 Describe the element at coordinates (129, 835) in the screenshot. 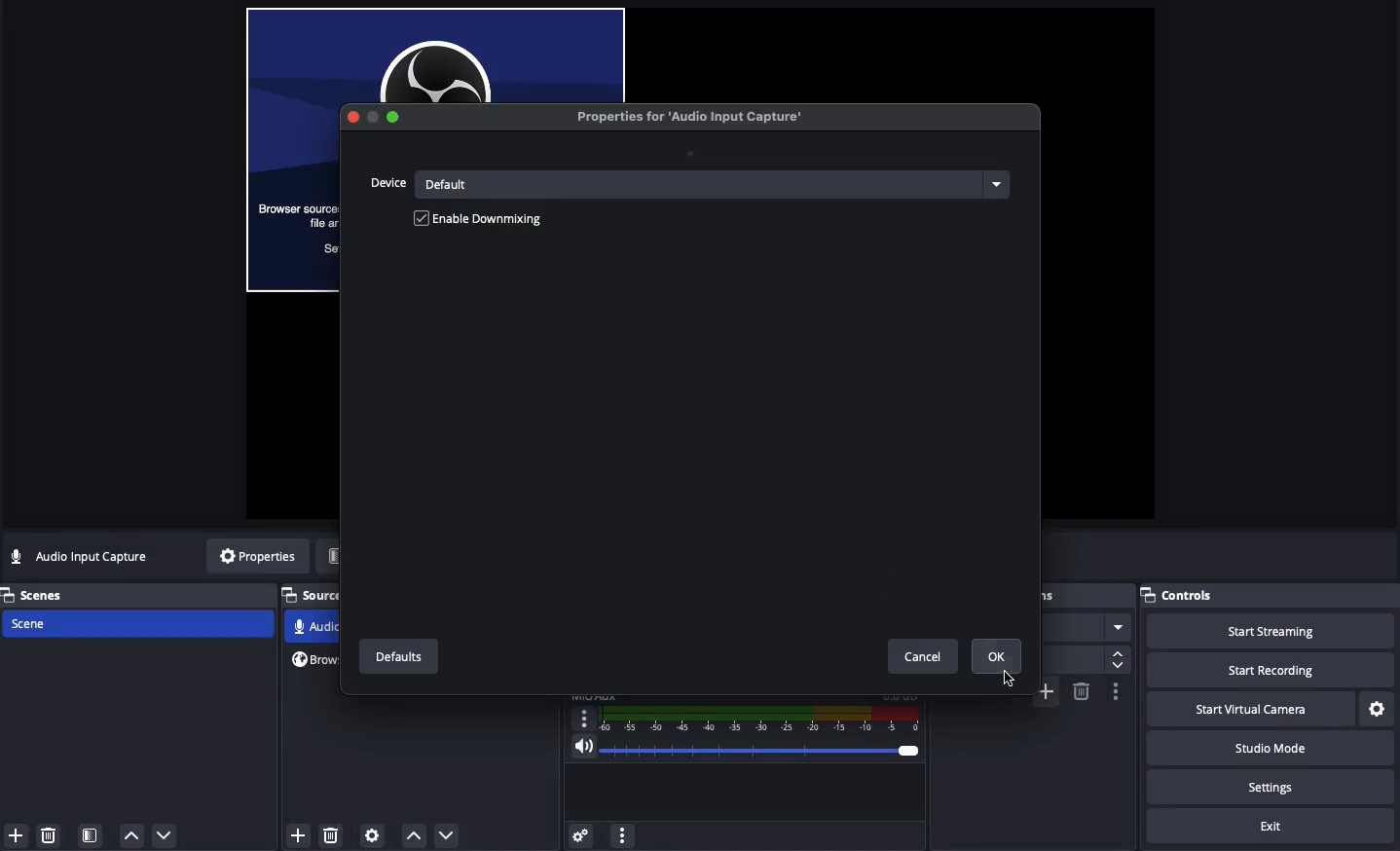

I see `Up` at that location.